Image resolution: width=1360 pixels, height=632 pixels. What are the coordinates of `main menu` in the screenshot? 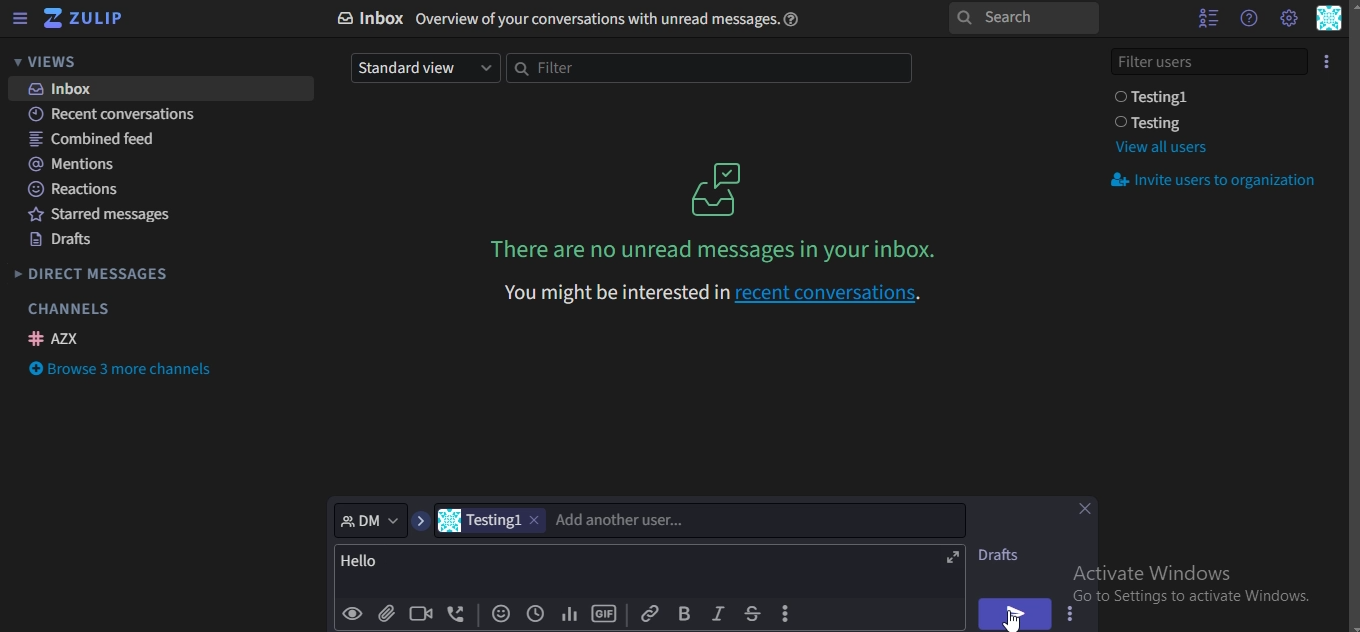 It's located at (1288, 18).